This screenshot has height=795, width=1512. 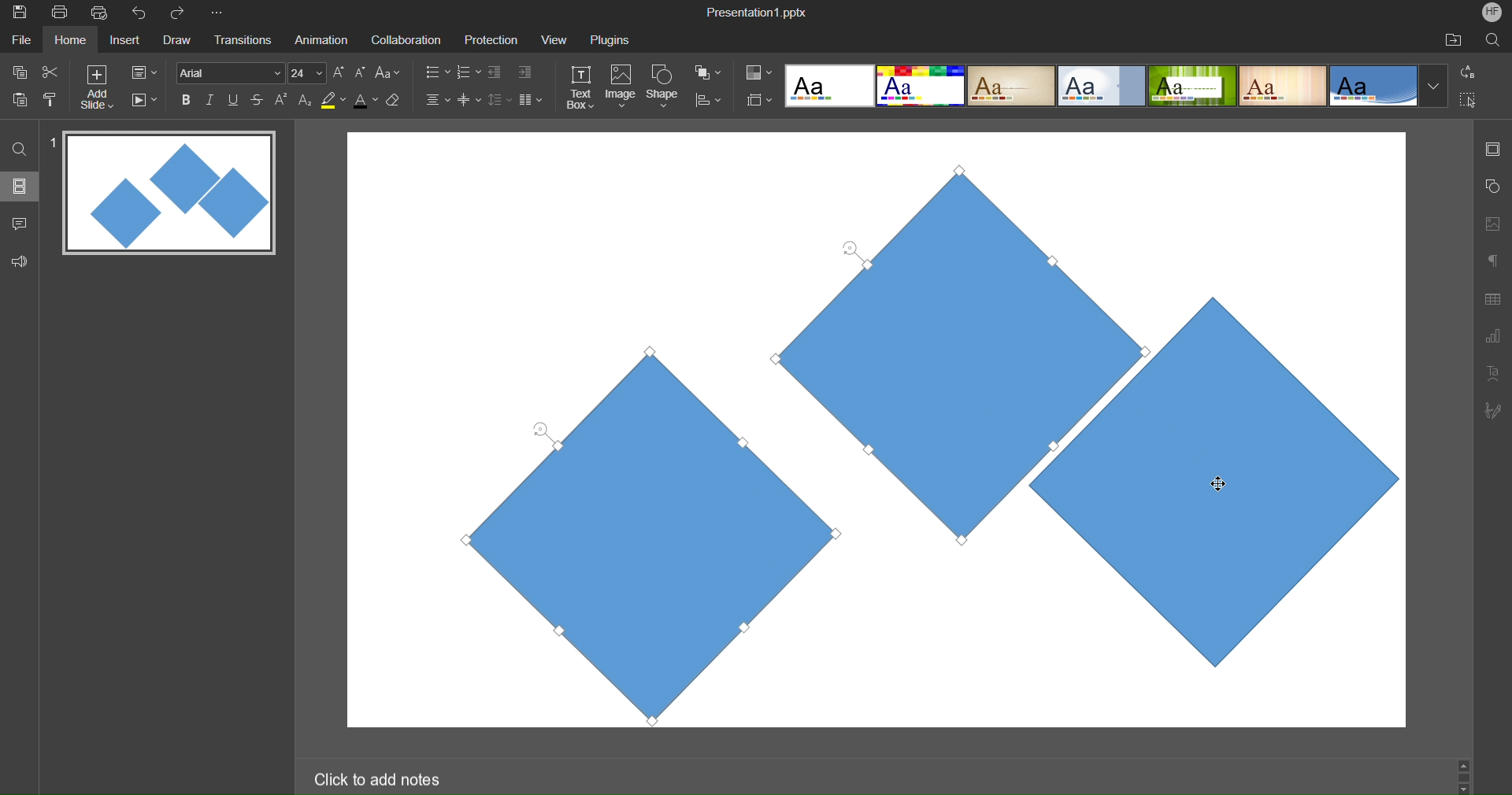 What do you see at coordinates (664, 88) in the screenshot?
I see `Shape` at bounding box center [664, 88].